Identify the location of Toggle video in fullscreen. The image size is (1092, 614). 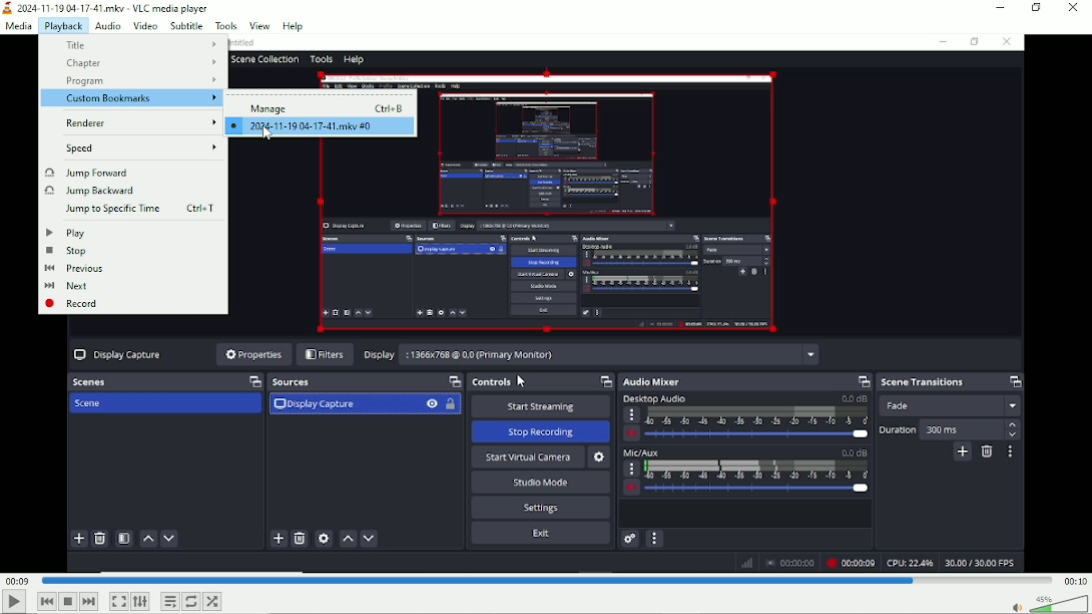
(118, 601).